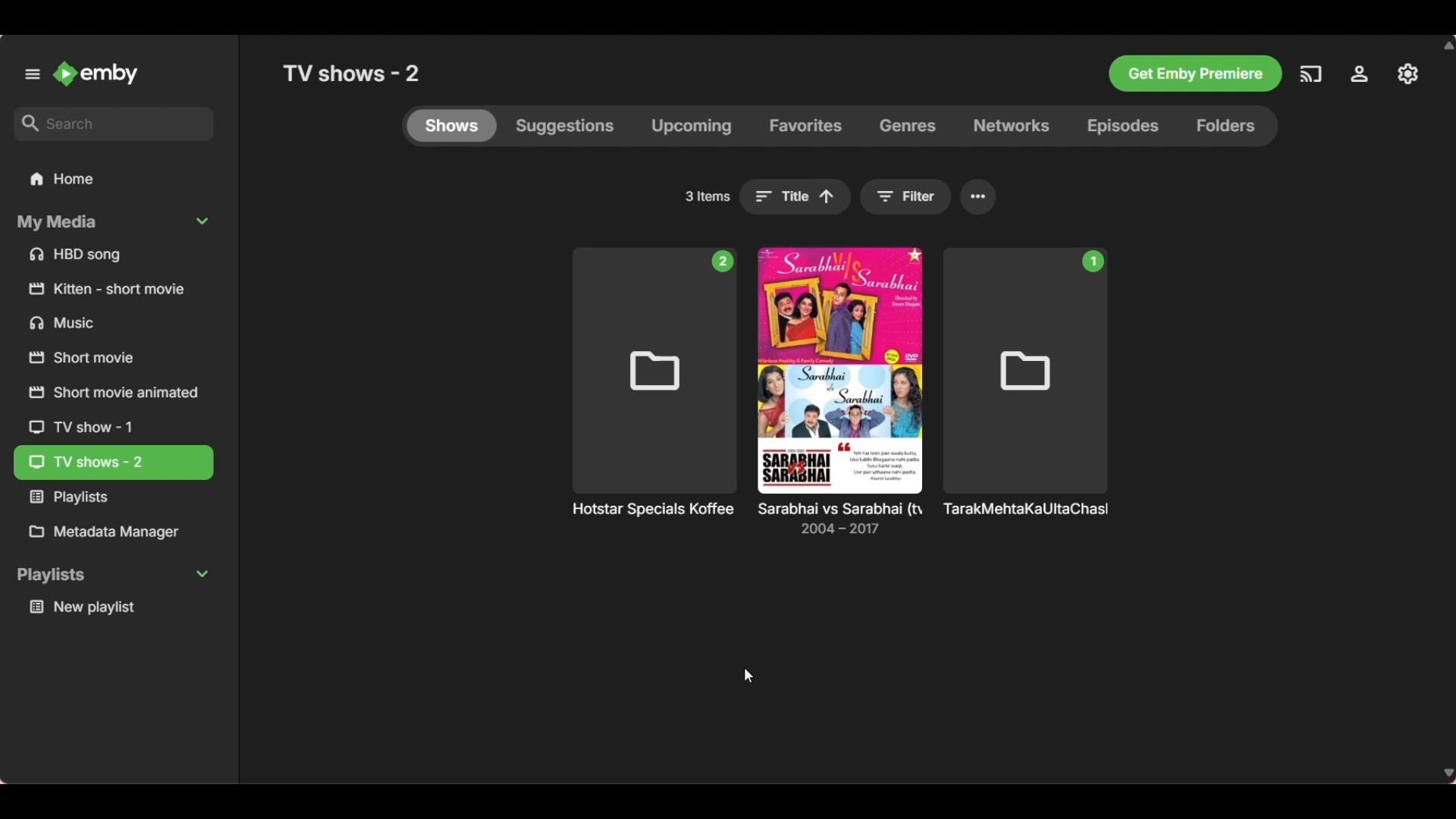 The height and width of the screenshot is (819, 1456). What do you see at coordinates (33, 74) in the screenshot?
I see `Unpin left panel` at bounding box center [33, 74].